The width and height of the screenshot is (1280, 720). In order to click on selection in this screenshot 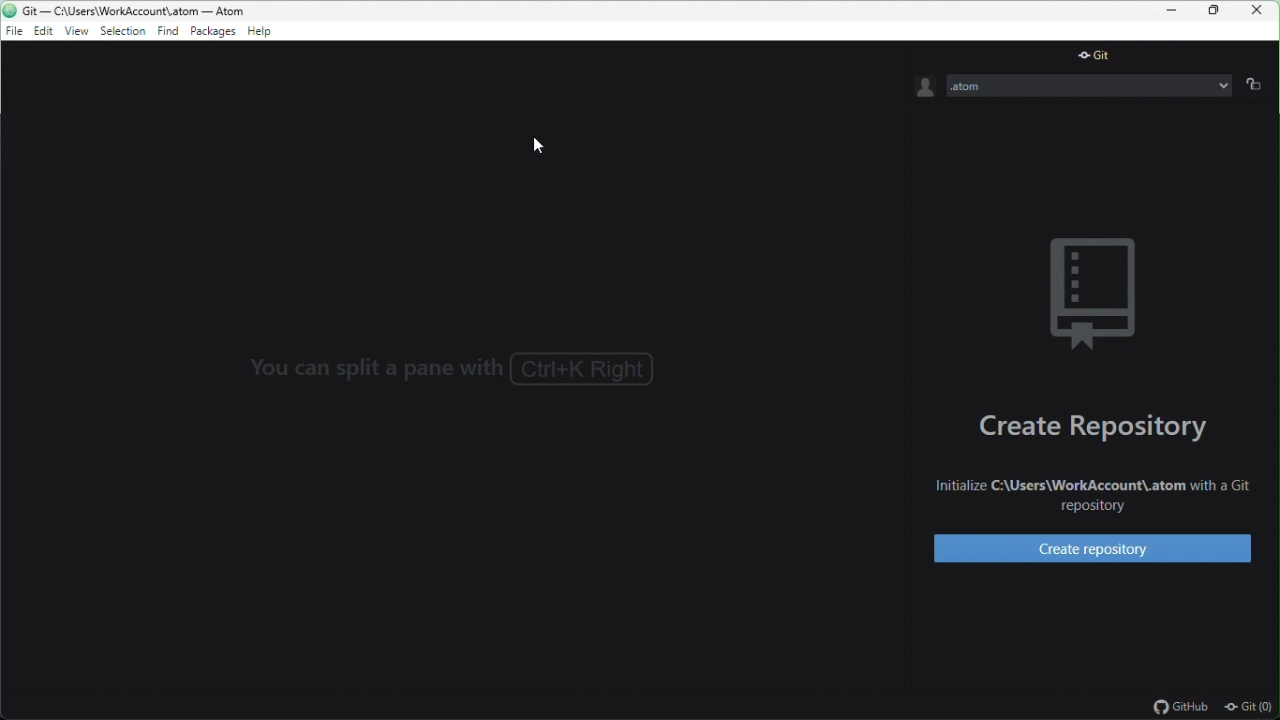, I will do `click(125, 34)`.